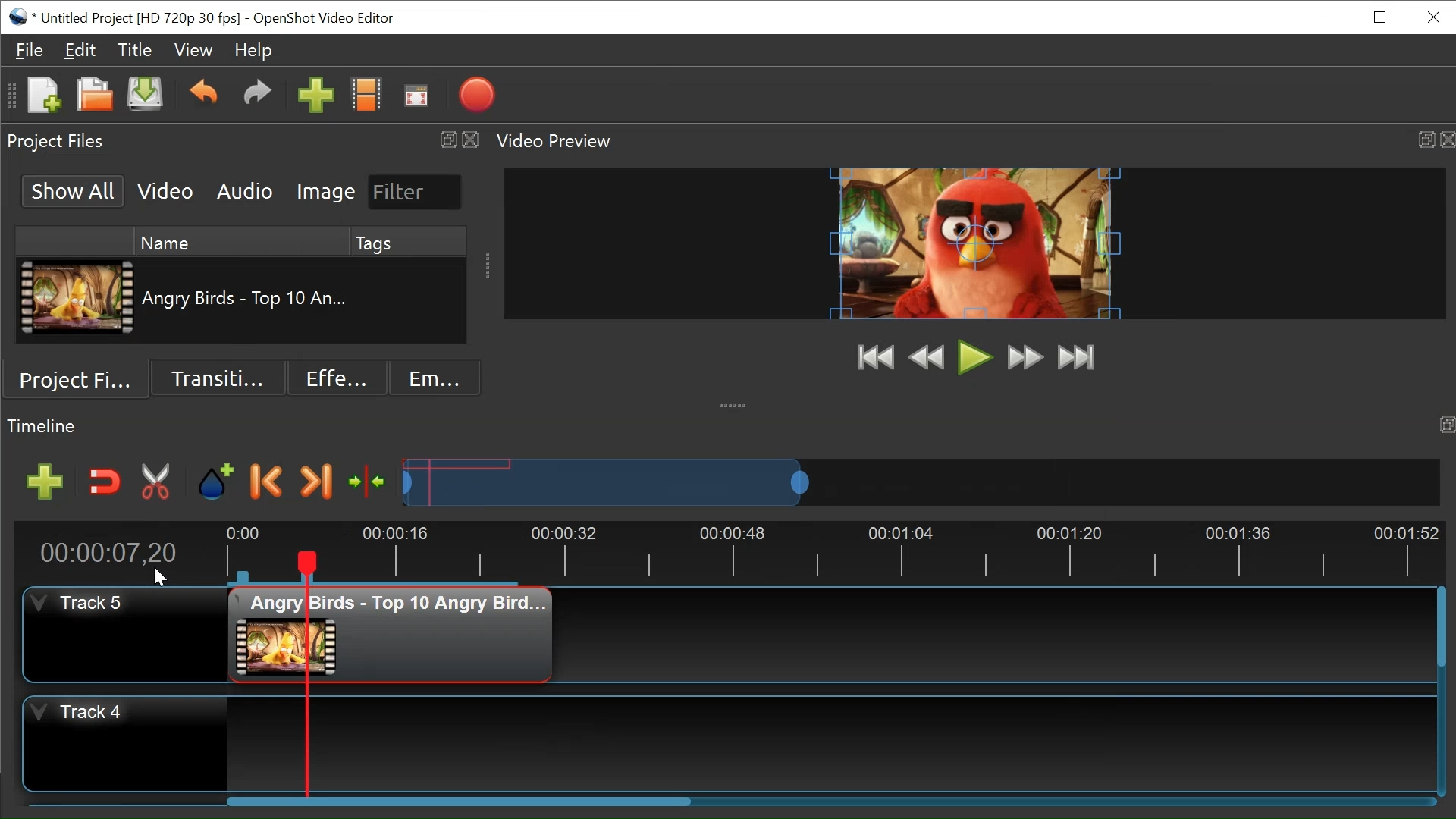 The width and height of the screenshot is (1456, 819). I want to click on timeline, so click(1440, 425).